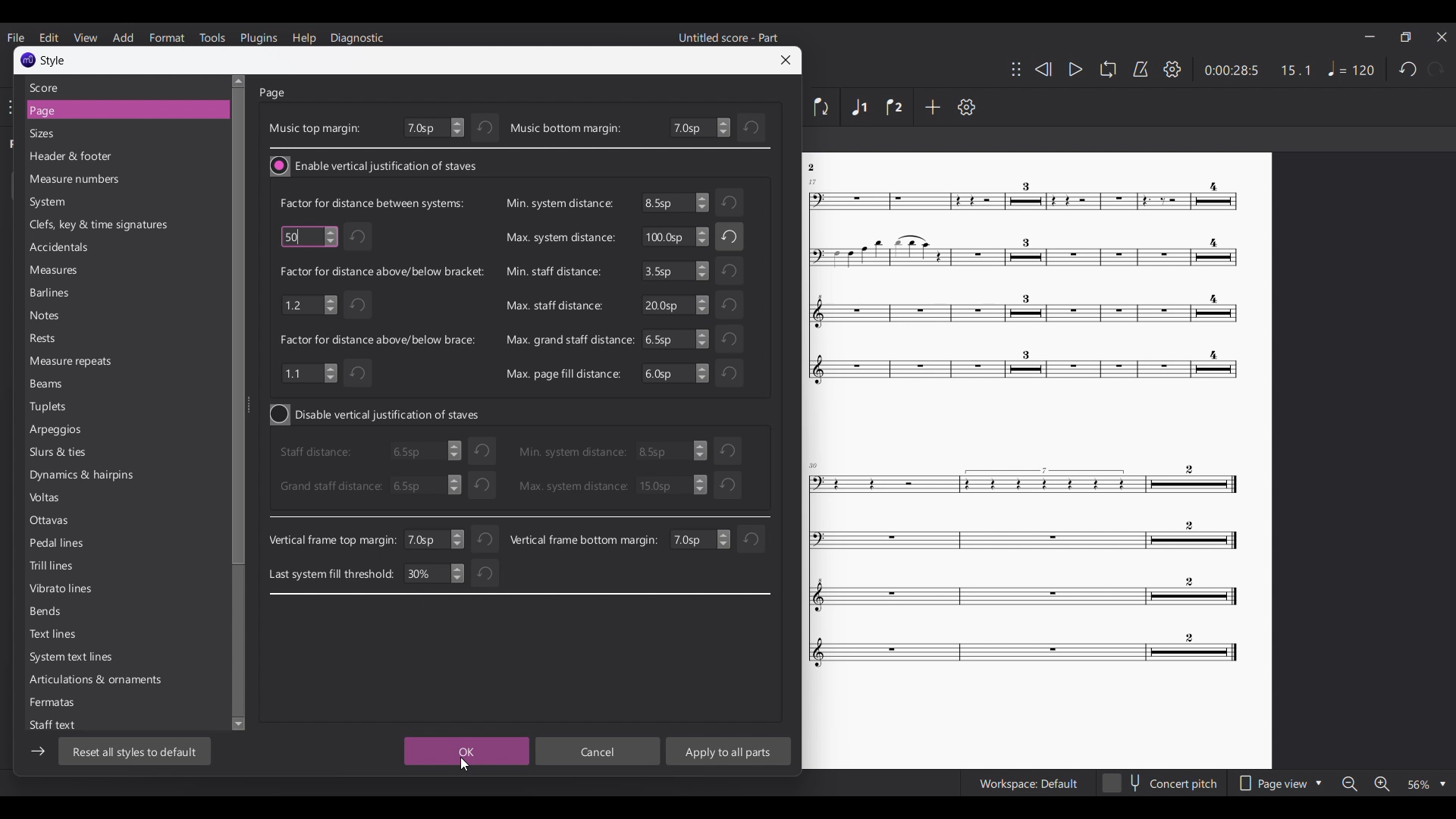  What do you see at coordinates (134, 751) in the screenshot?
I see `Reset to default` at bounding box center [134, 751].